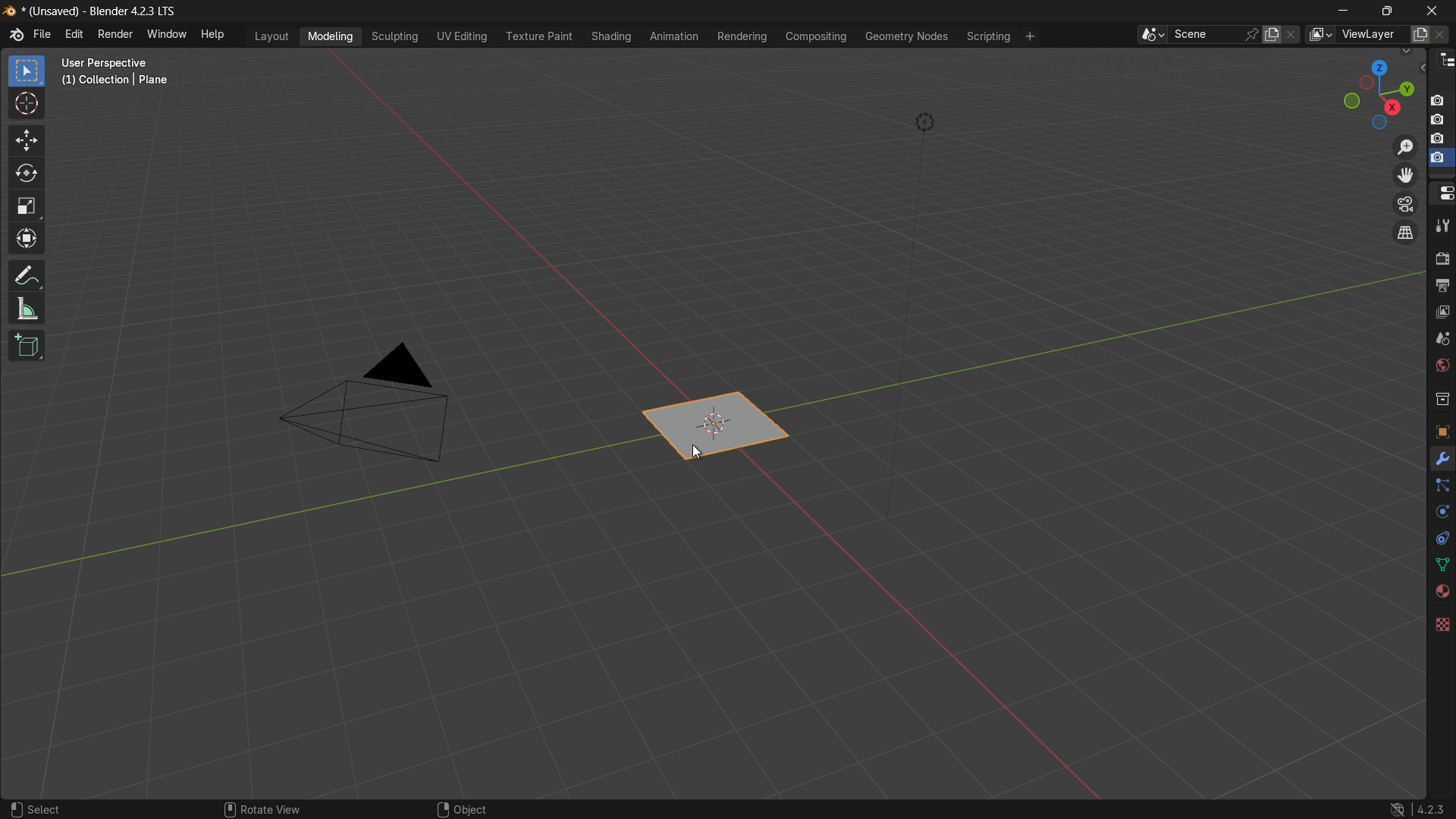  What do you see at coordinates (1442, 538) in the screenshot?
I see `constraints` at bounding box center [1442, 538].